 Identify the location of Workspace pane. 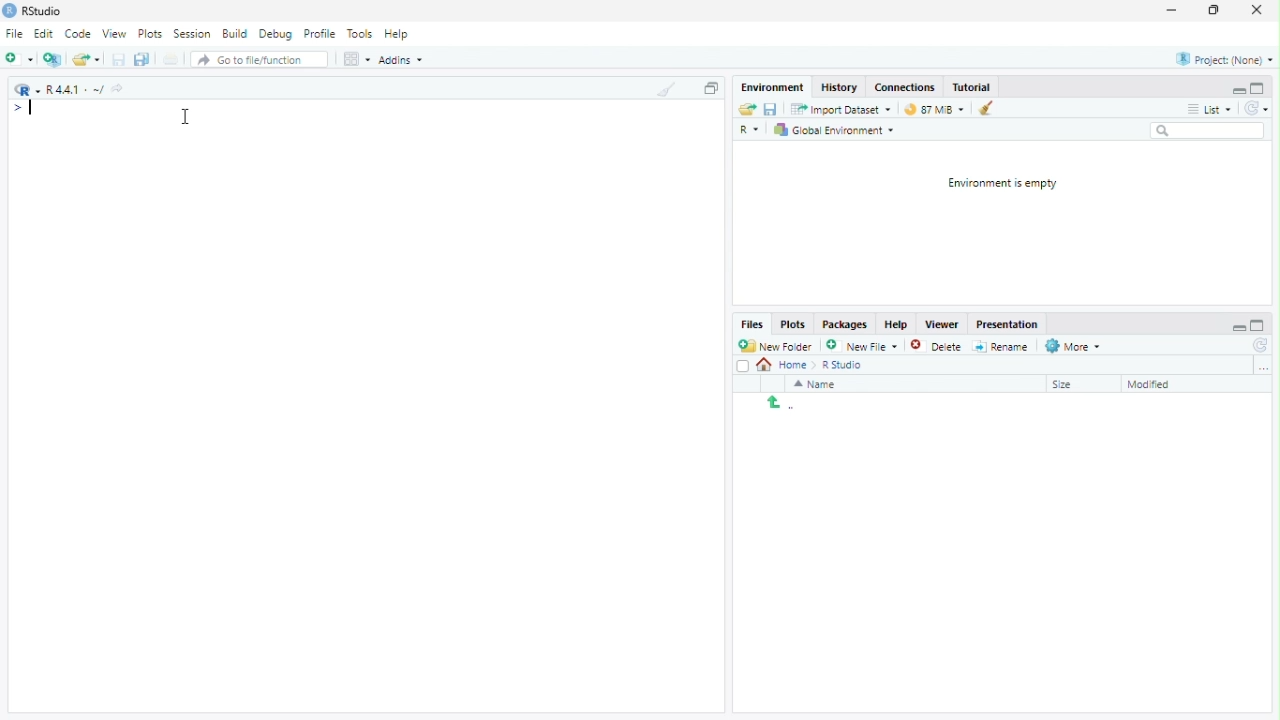
(355, 60).